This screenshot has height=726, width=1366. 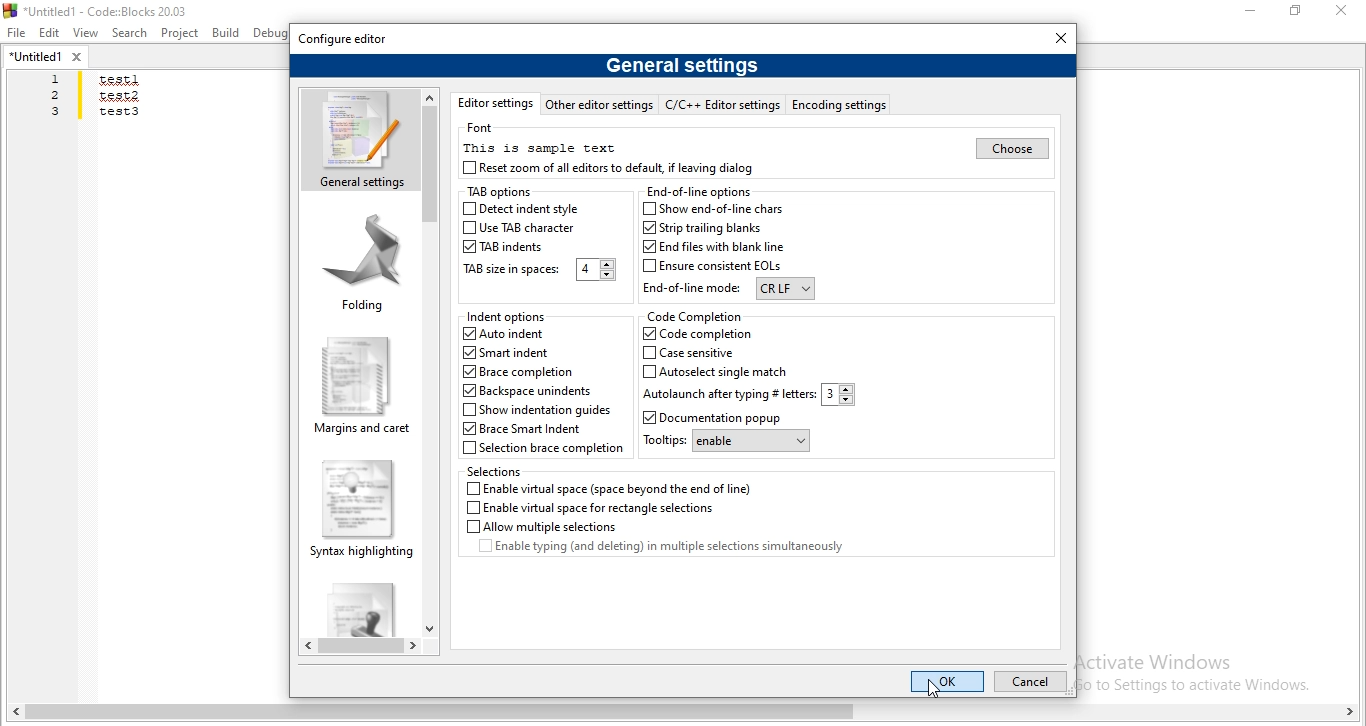 What do you see at coordinates (180, 34) in the screenshot?
I see `Project ` at bounding box center [180, 34].